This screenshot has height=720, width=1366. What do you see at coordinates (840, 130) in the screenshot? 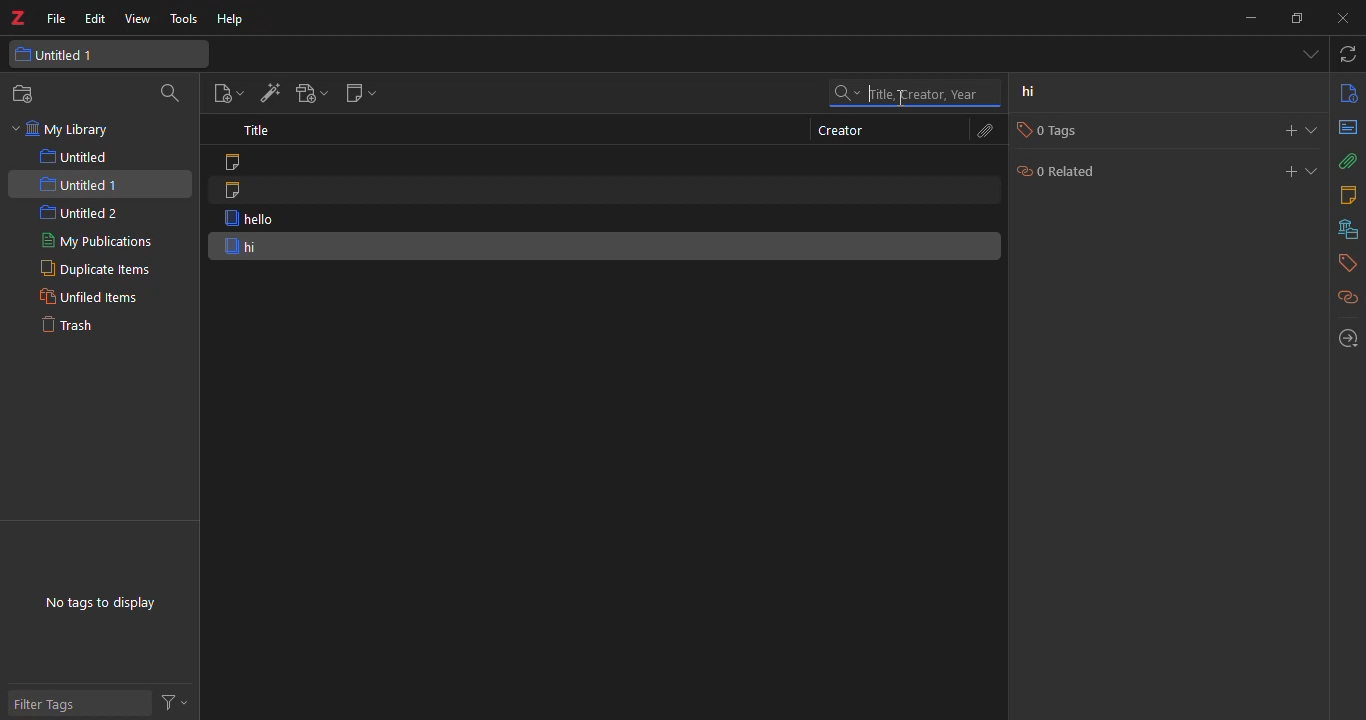
I see `creator` at bounding box center [840, 130].